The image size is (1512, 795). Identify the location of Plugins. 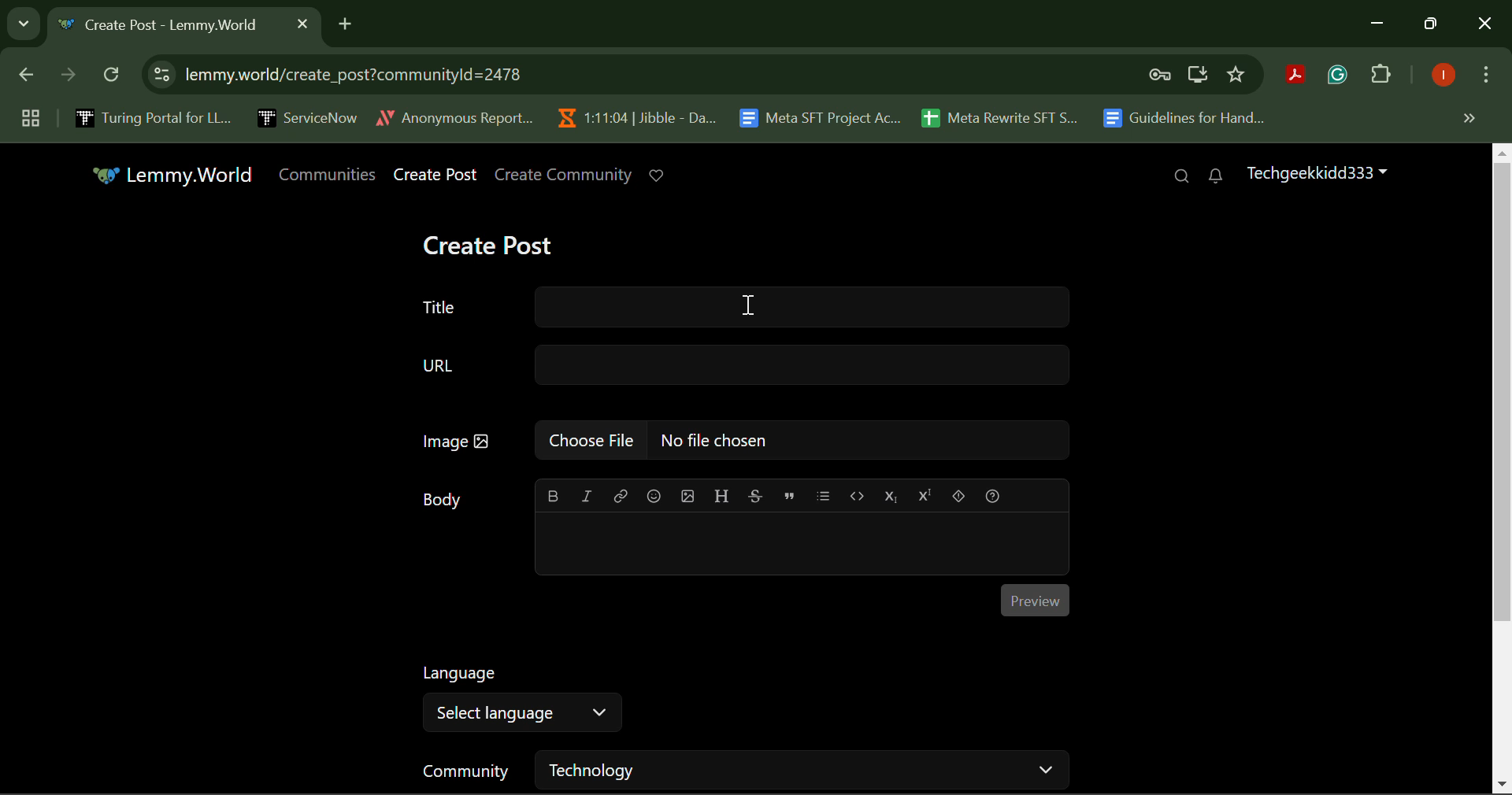
(1381, 77).